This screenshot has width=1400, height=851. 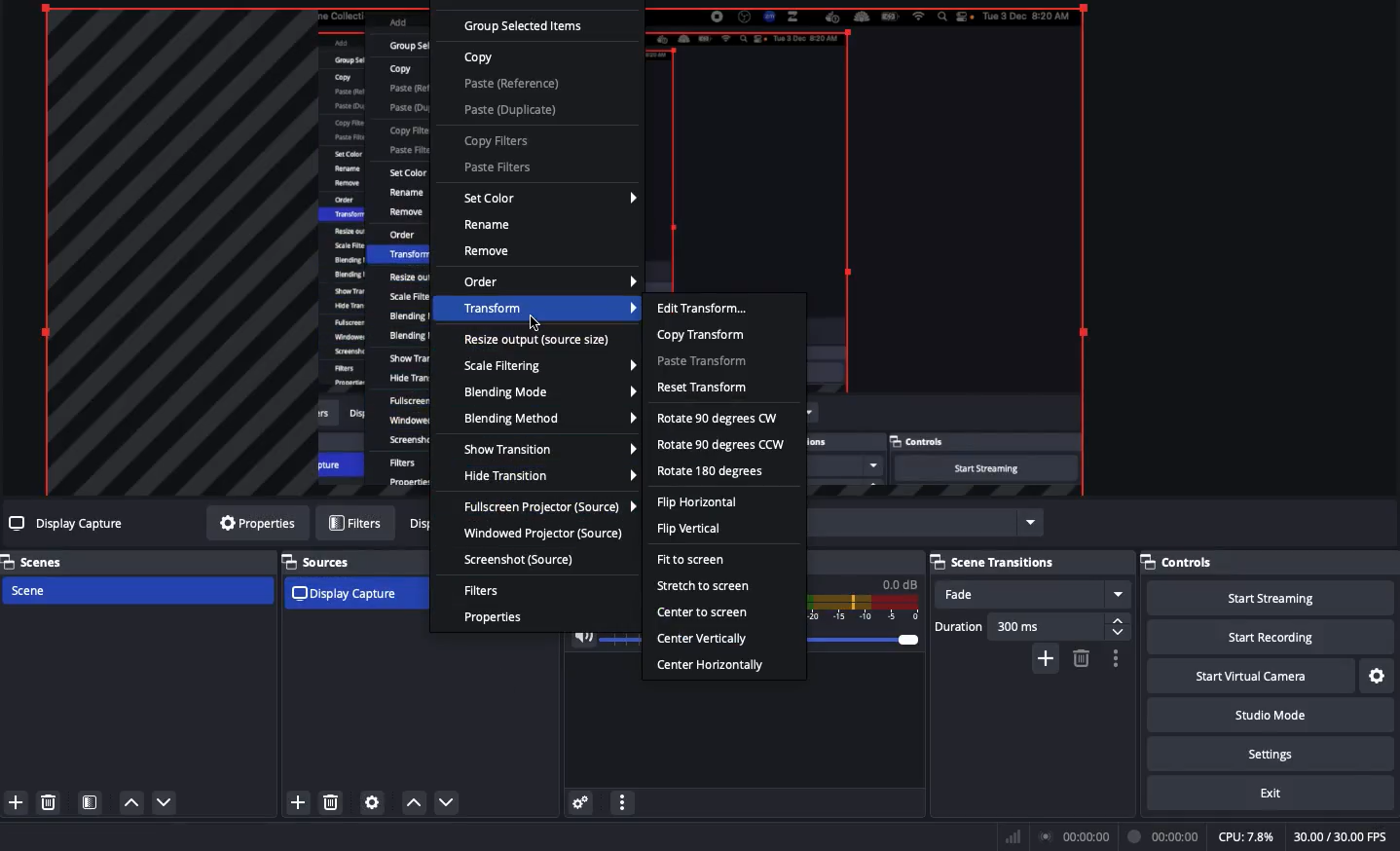 What do you see at coordinates (497, 619) in the screenshot?
I see `Properties` at bounding box center [497, 619].